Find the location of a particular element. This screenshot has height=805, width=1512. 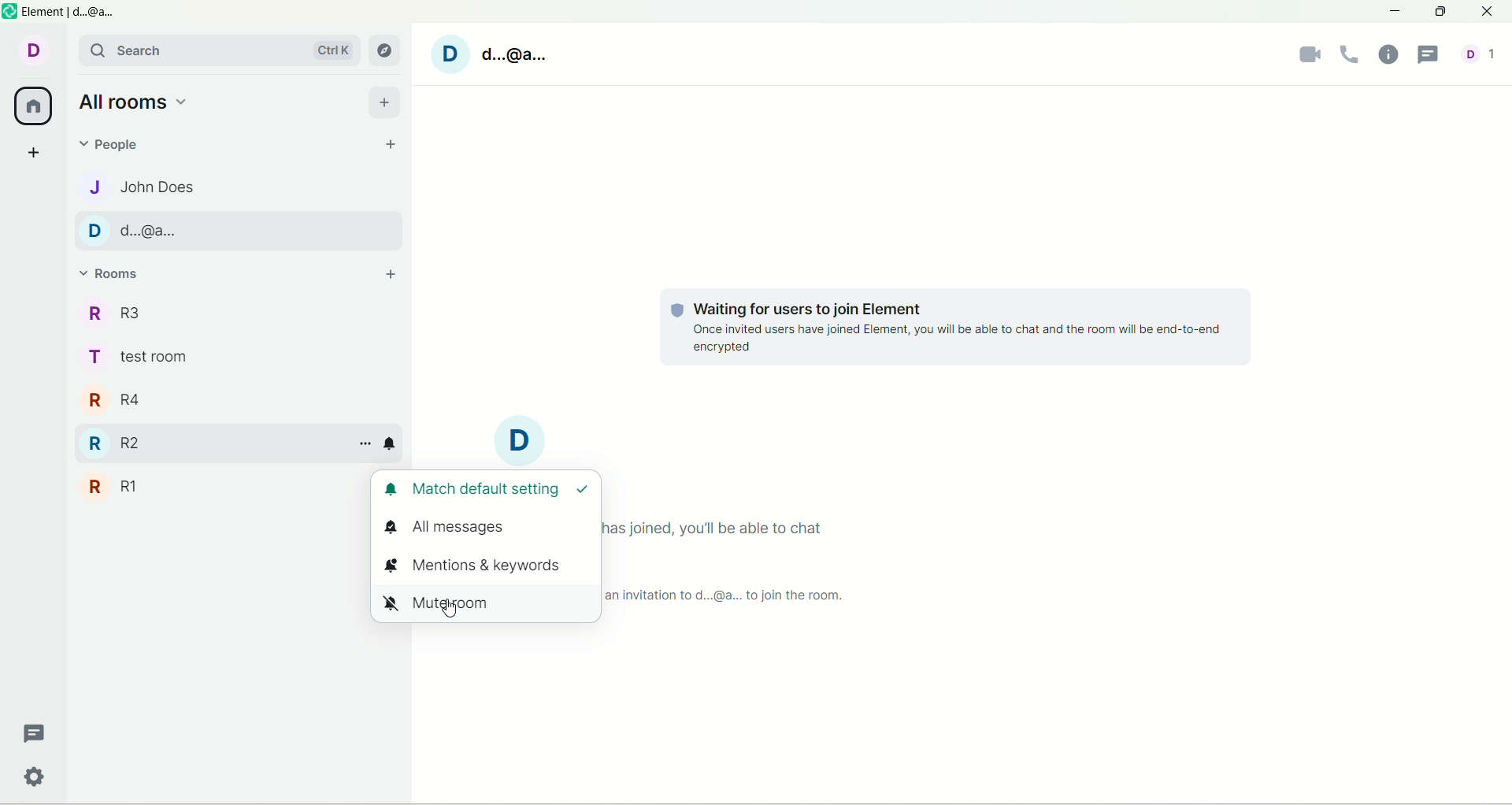

search is located at coordinates (217, 49).